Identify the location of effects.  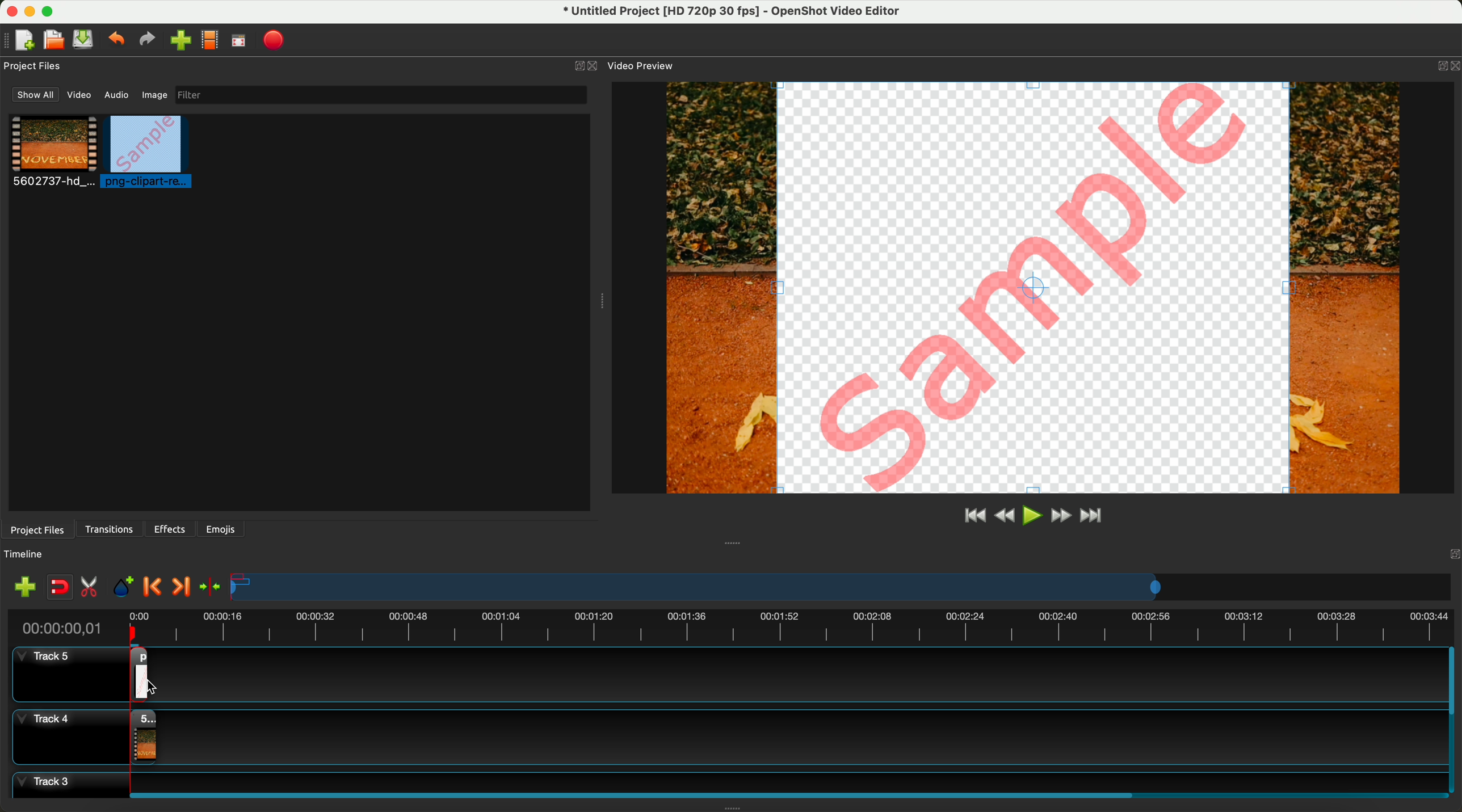
(171, 529).